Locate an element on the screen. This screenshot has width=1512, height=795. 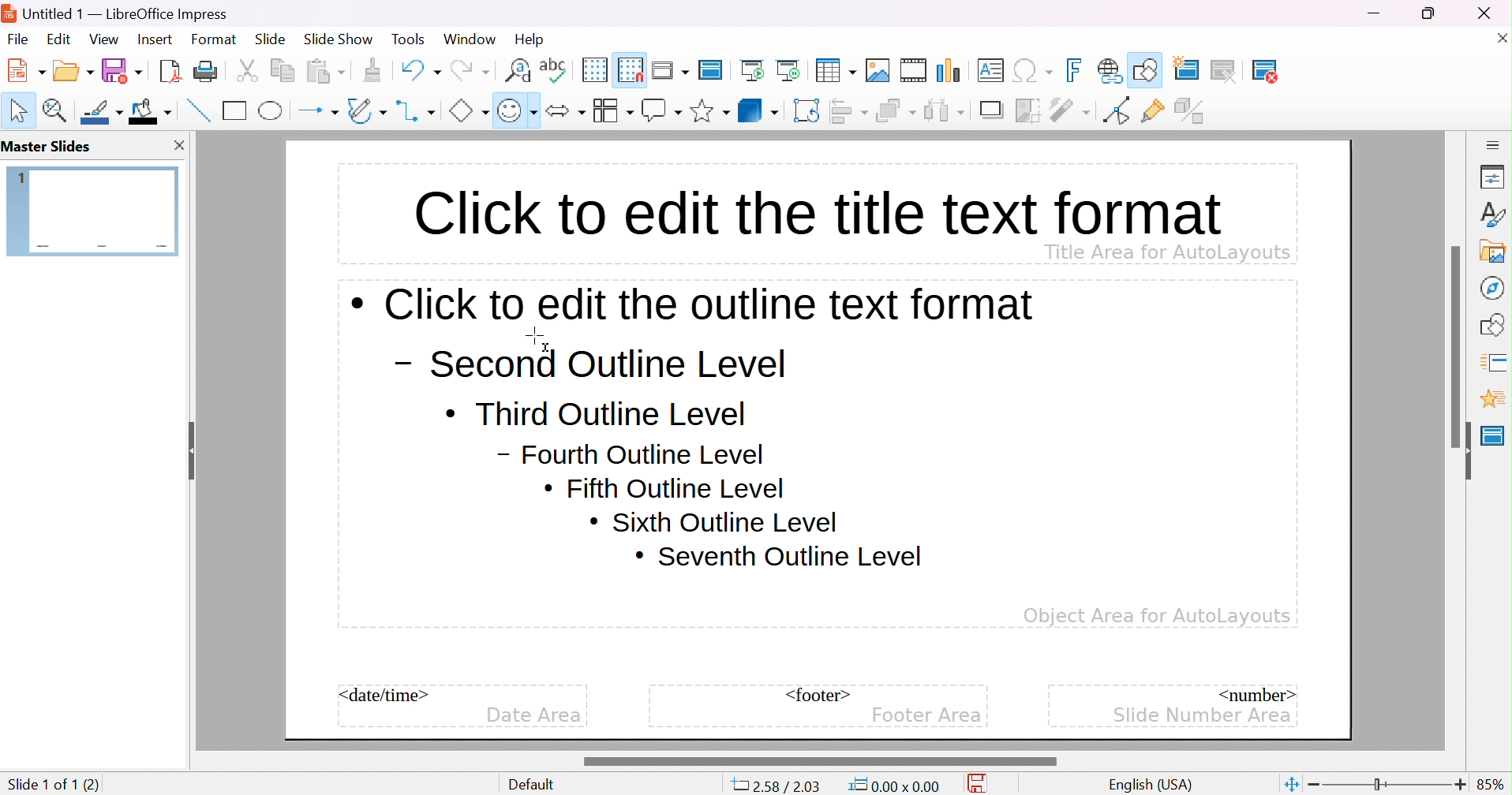
curves and polygons is located at coordinates (366, 110).